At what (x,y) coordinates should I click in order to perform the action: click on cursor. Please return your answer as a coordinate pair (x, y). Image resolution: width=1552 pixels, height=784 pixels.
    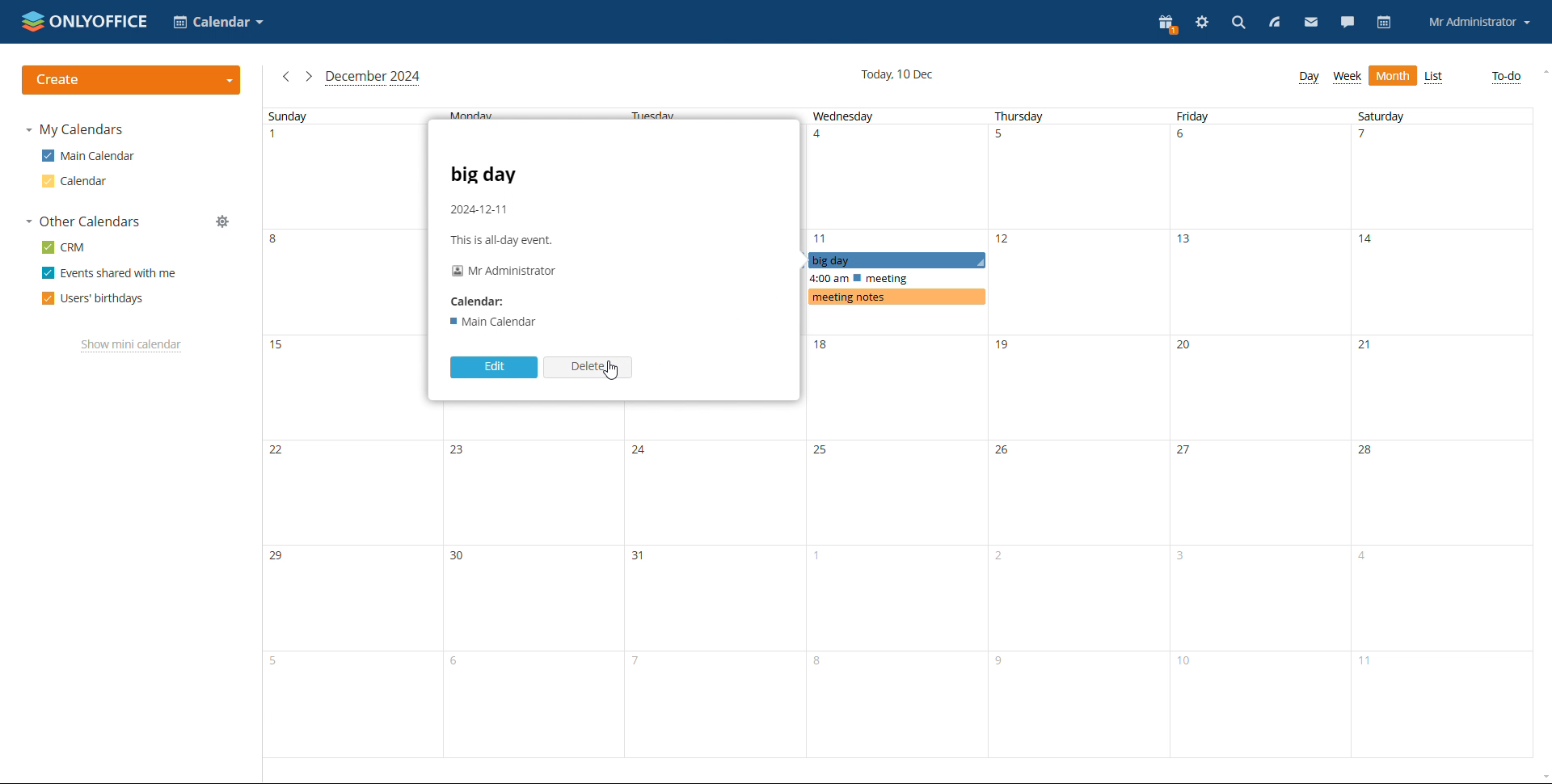
    Looking at the image, I should click on (614, 376).